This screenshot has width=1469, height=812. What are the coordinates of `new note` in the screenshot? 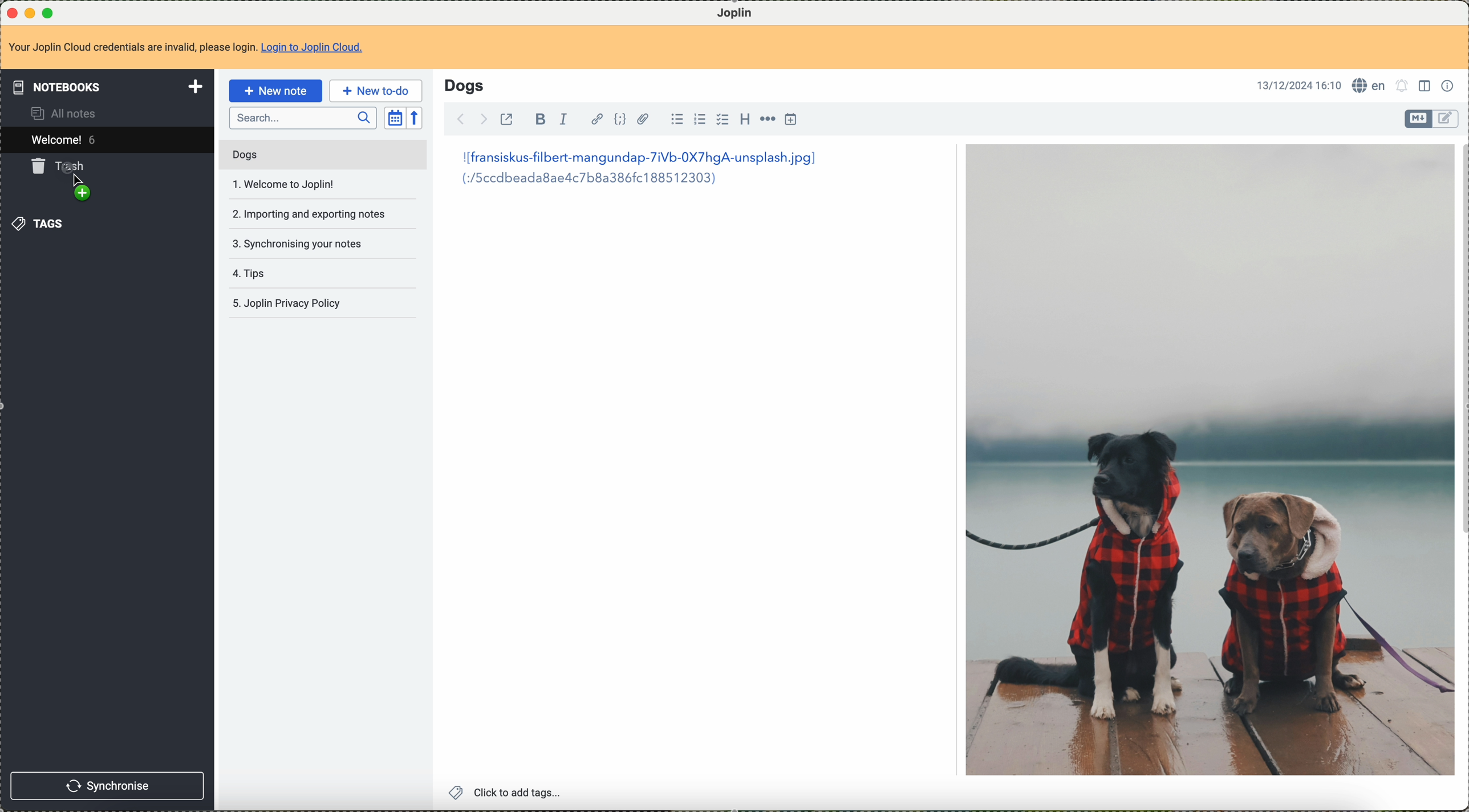 It's located at (274, 90).